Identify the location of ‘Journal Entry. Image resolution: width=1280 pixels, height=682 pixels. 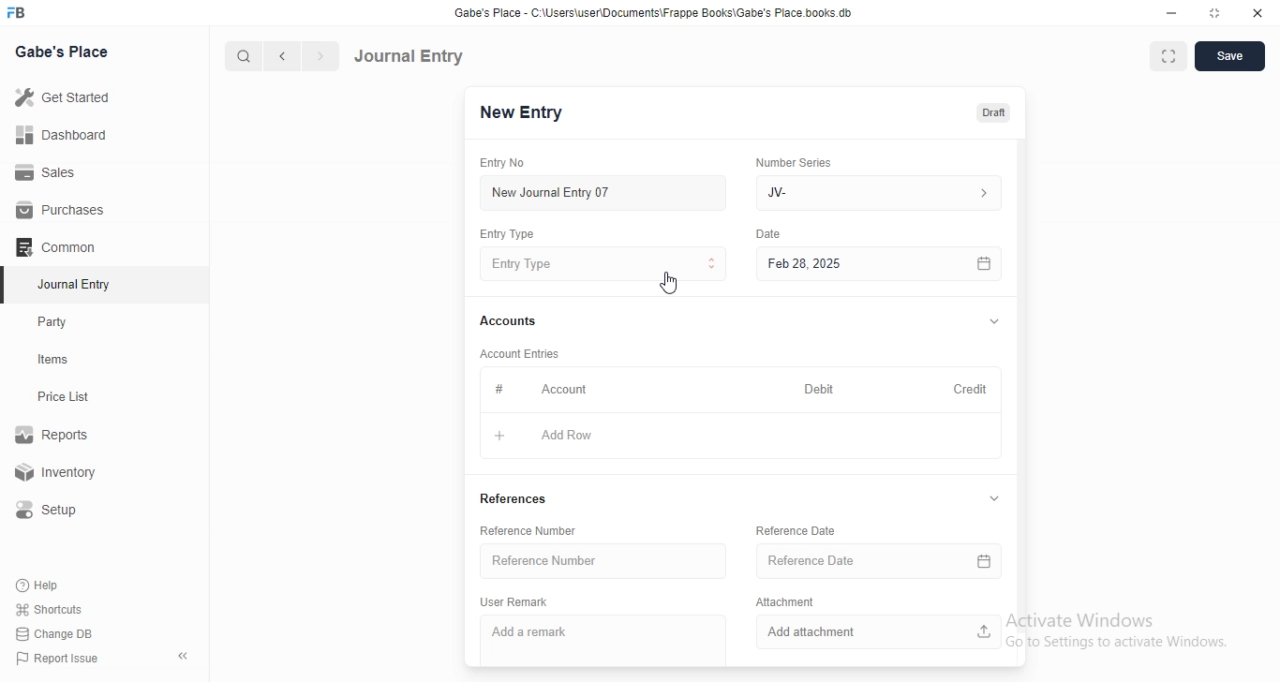
(77, 284).